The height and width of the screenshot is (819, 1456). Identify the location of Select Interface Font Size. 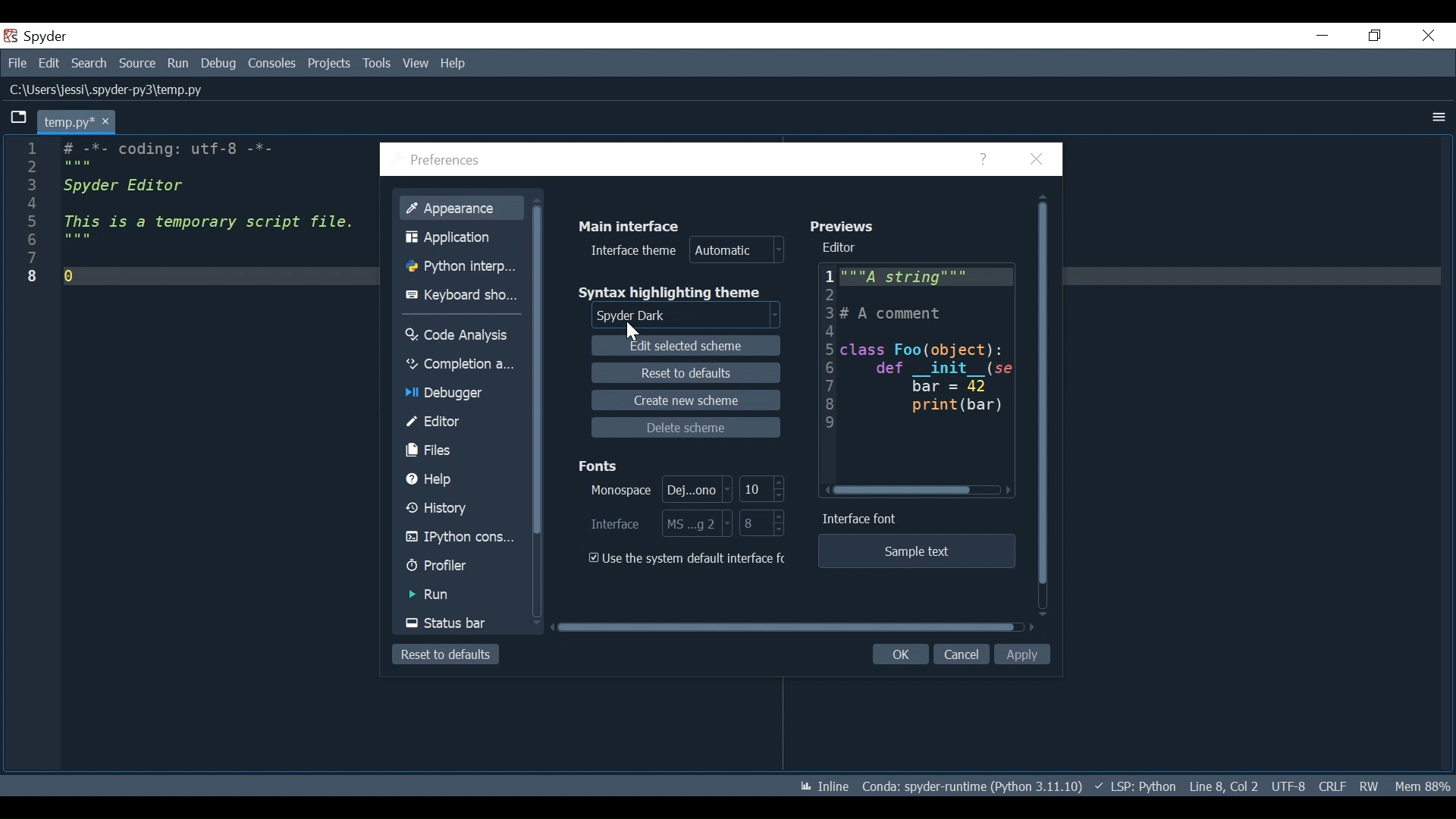
(762, 523).